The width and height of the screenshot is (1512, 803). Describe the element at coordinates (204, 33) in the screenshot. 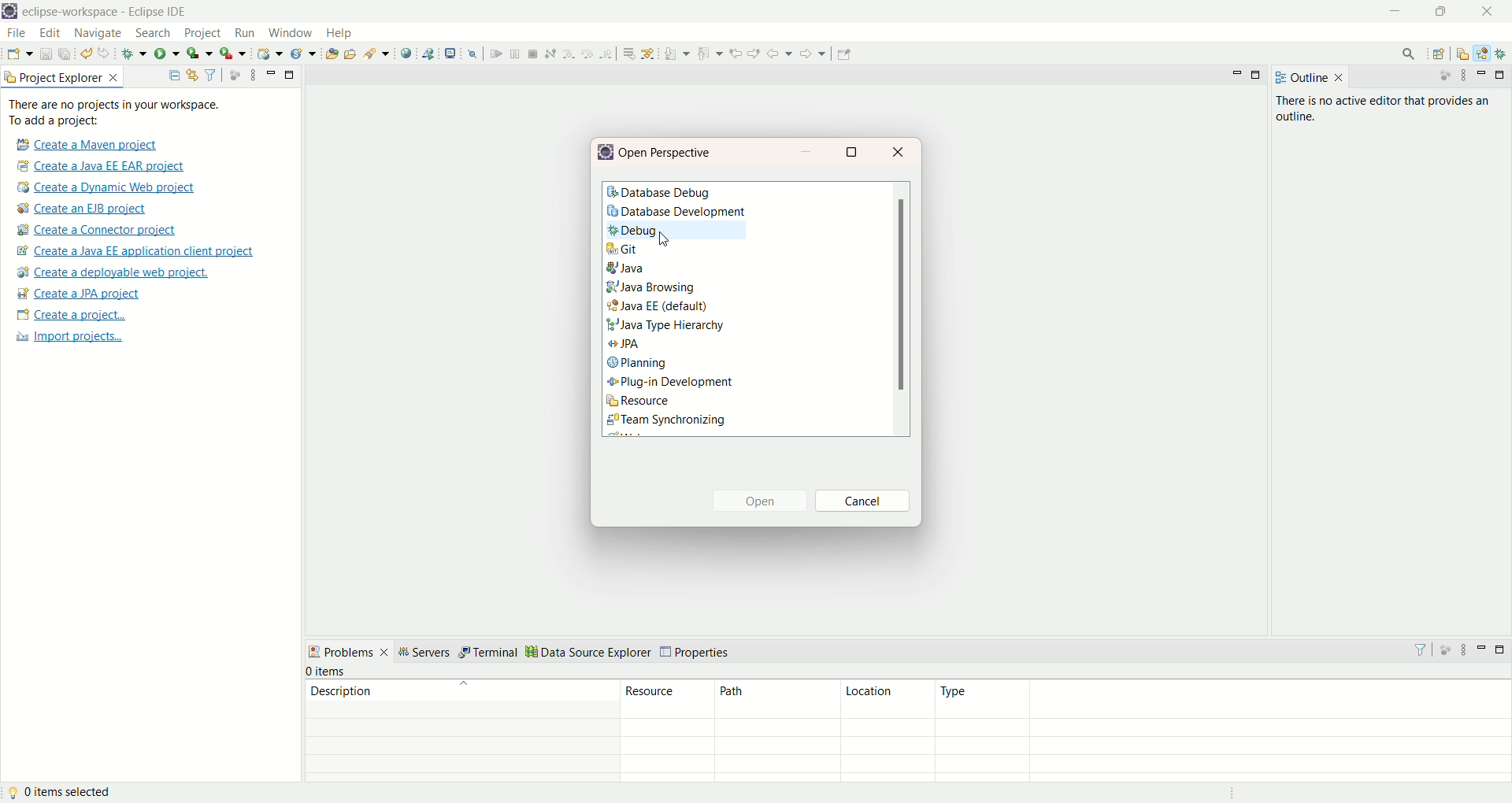

I see `project` at that location.